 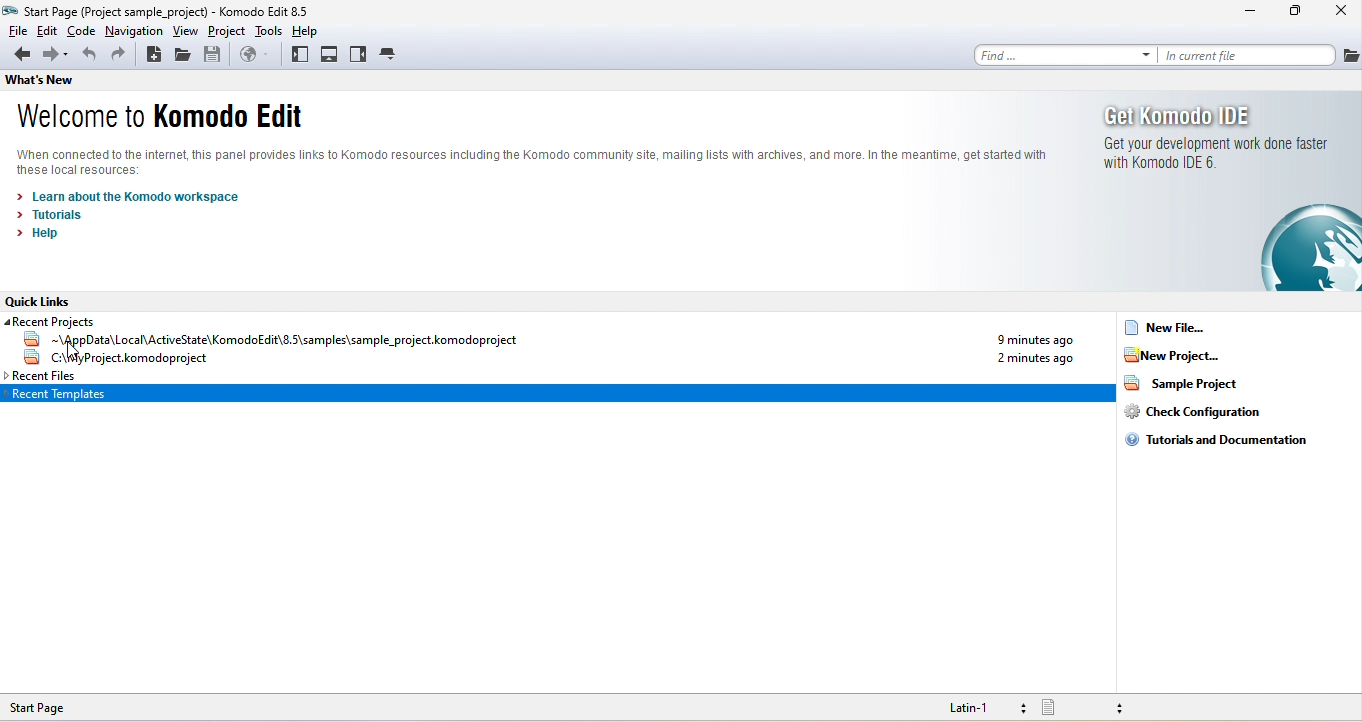 I want to click on get komodo ide , so click(x=1232, y=194).